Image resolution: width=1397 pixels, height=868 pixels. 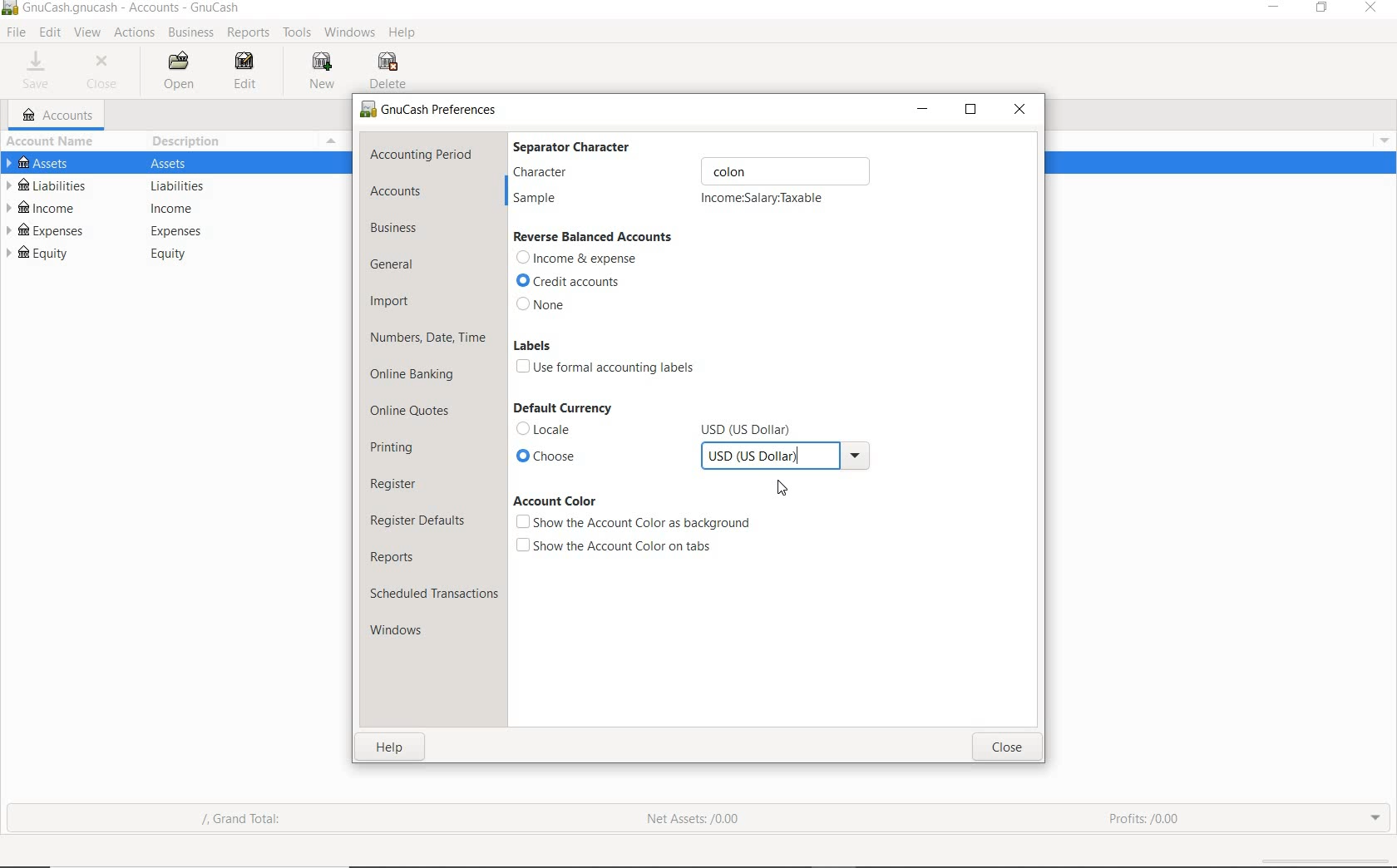 What do you see at coordinates (544, 305) in the screenshot?
I see `none` at bounding box center [544, 305].